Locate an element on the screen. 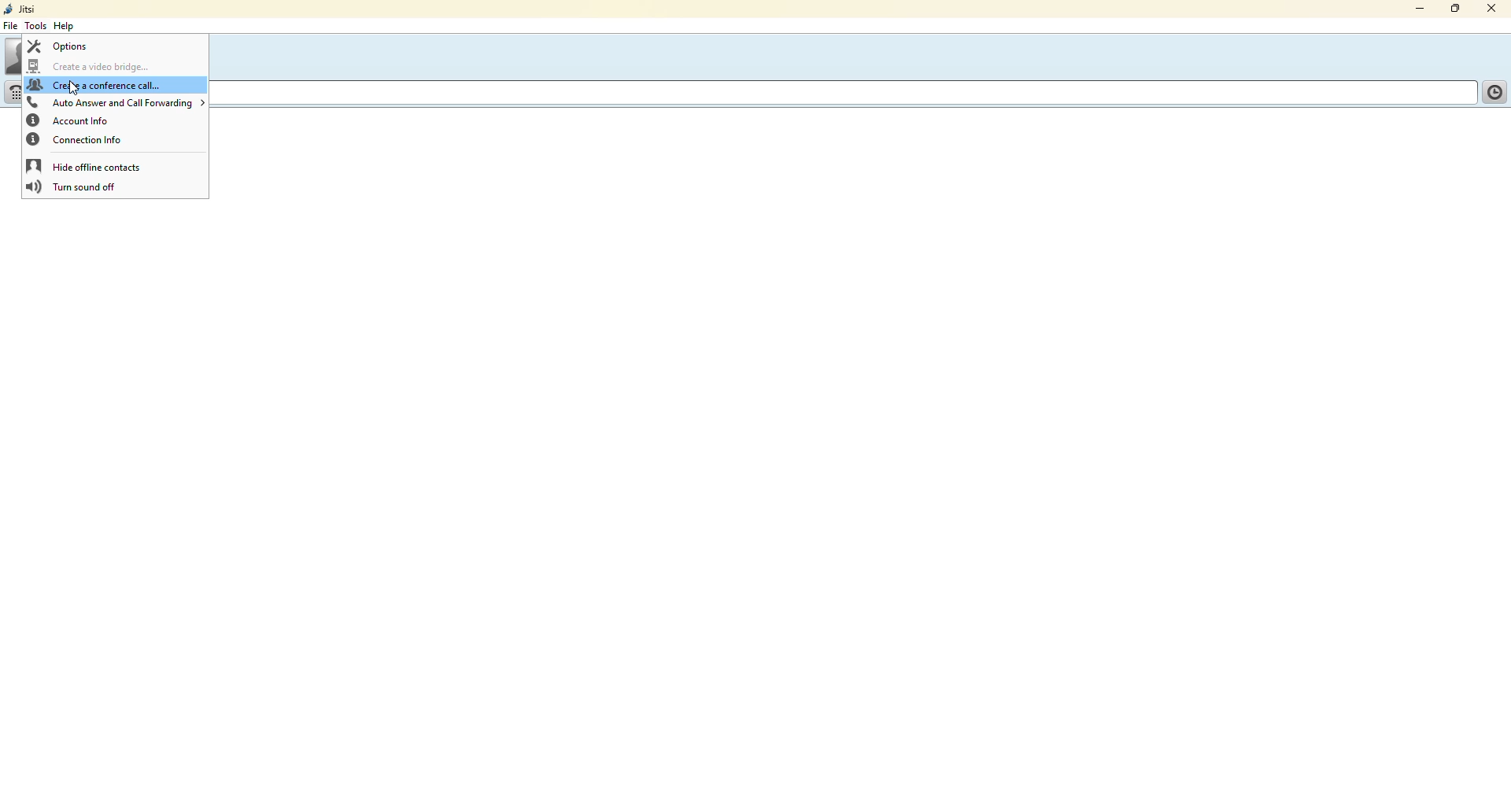 The height and width of the screenshot is (812, 1511). file is located at coordinates (10, 26).